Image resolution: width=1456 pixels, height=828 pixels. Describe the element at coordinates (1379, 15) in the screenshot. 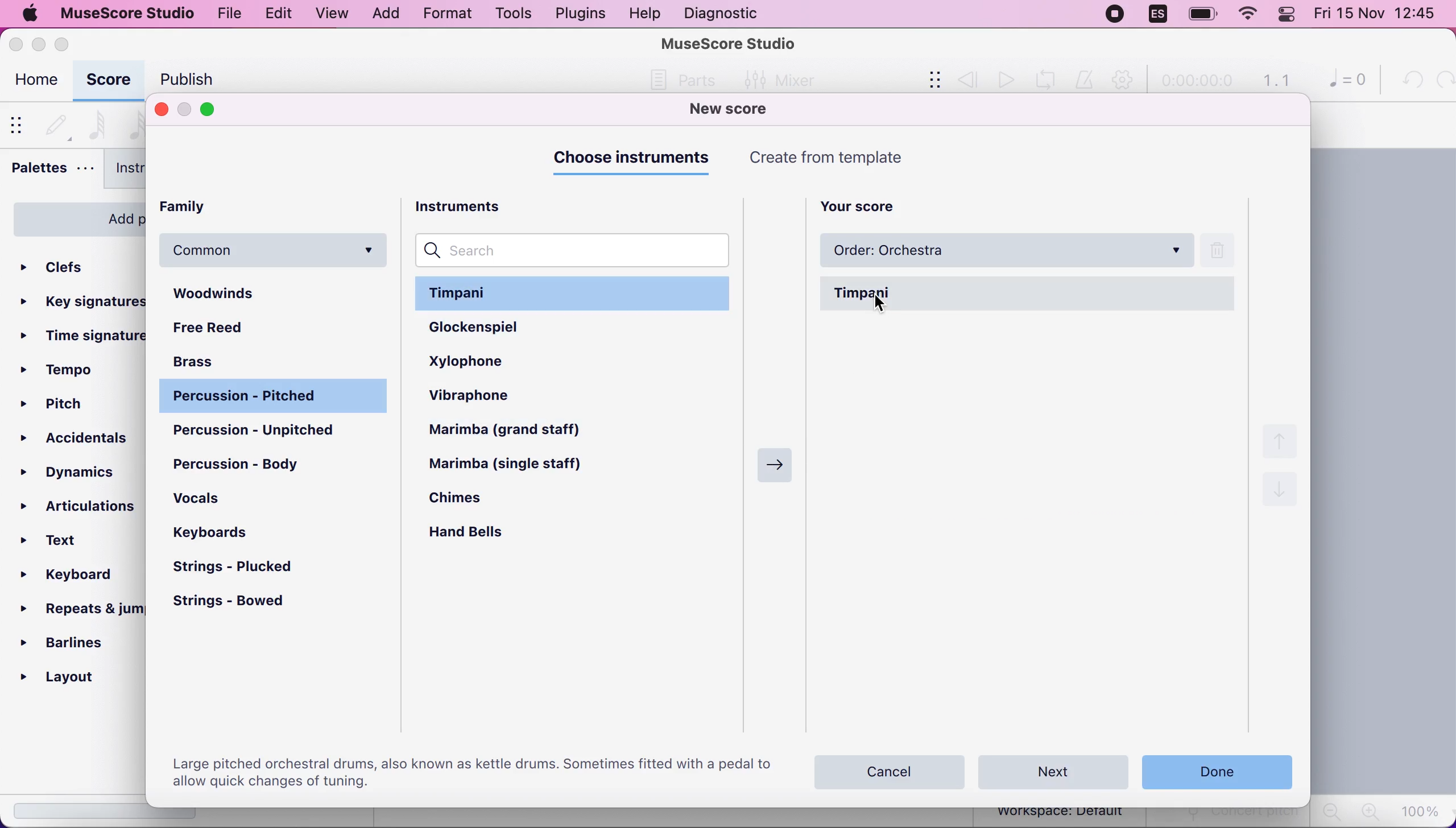

I see `Fri 15 Nov 12:44` at that location.